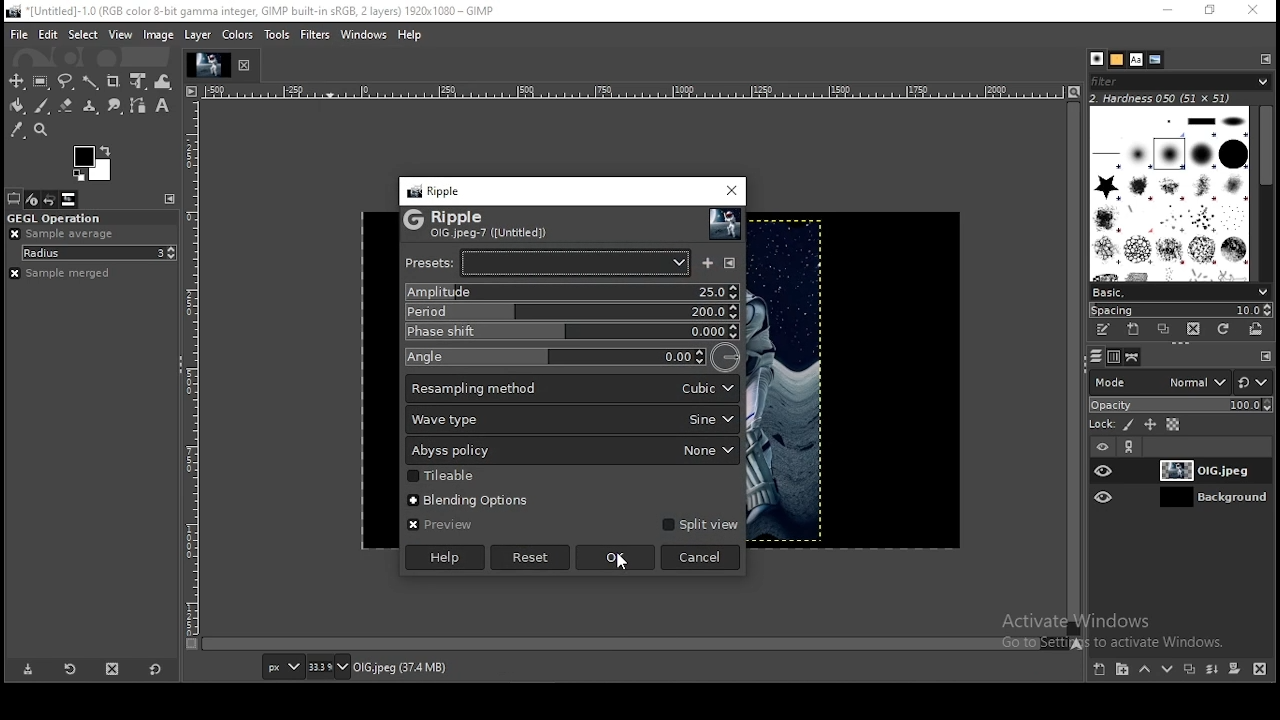 The image size is (1280, 720). I want to click on lock alpha channel, so click(1173, 424).